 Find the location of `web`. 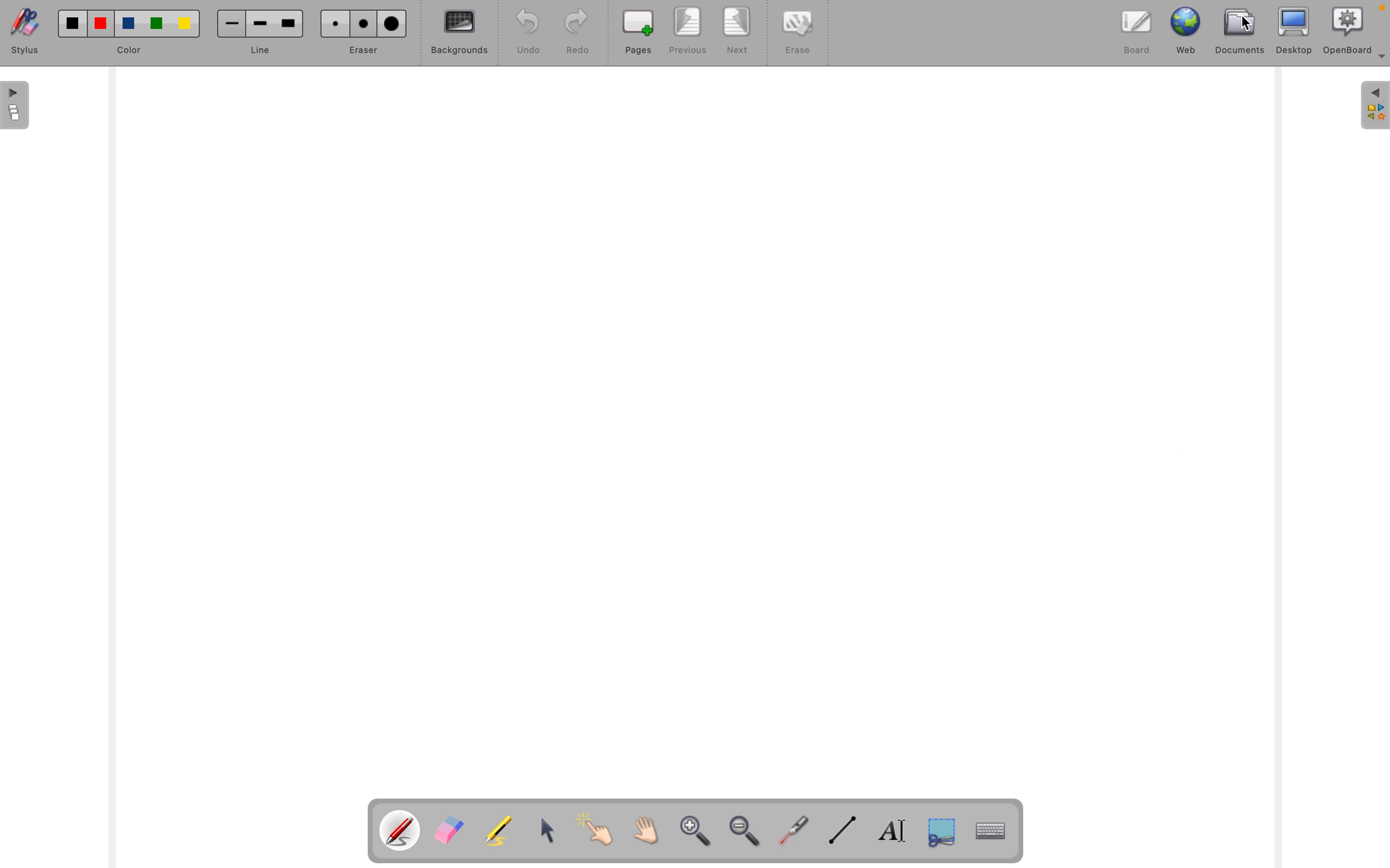

web is located at coordinates (1188, 29).